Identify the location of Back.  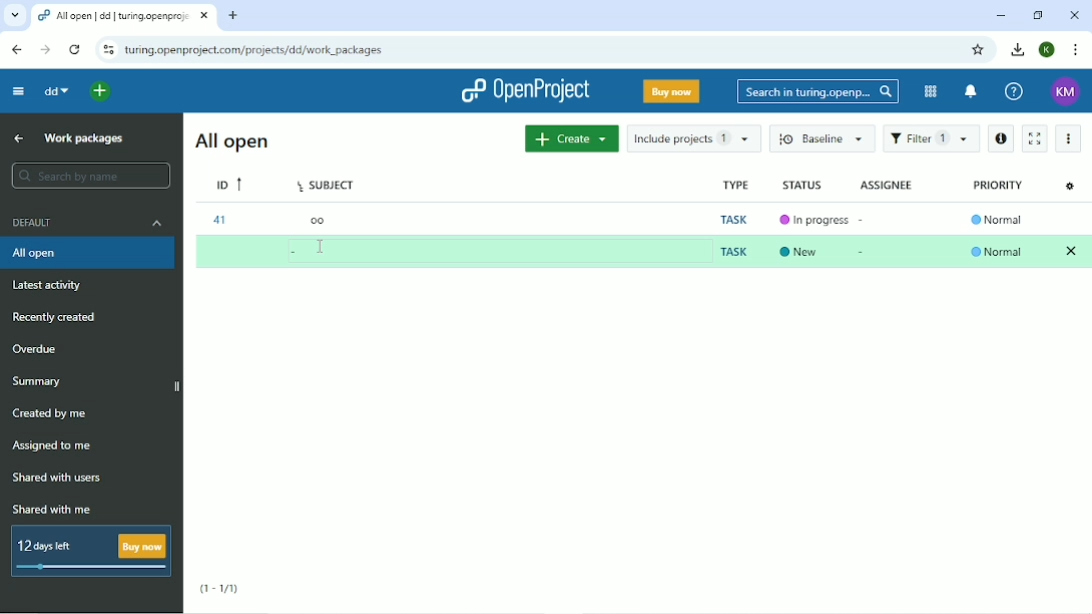
(17, 50).